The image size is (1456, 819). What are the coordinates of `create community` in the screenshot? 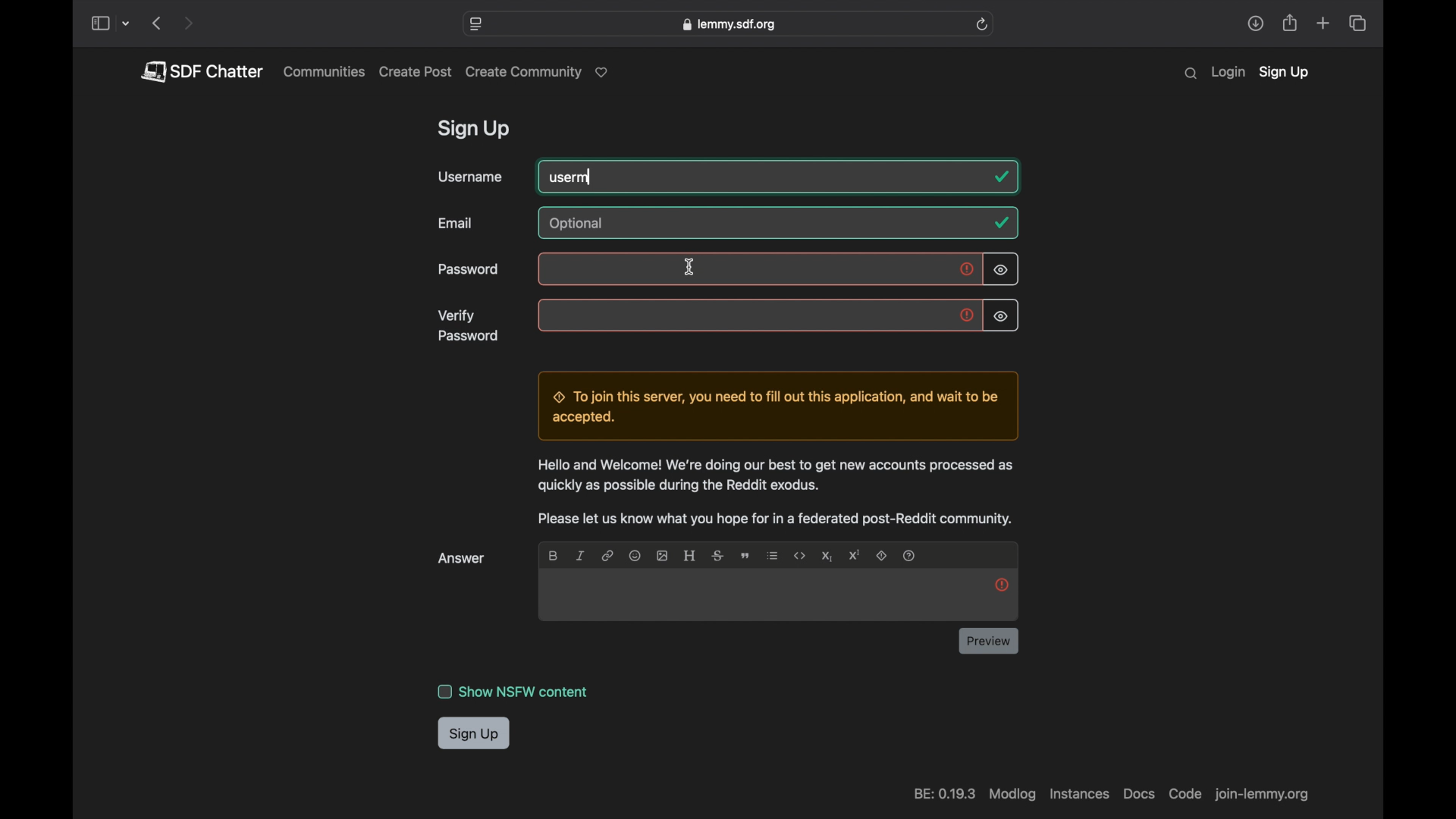 It's located at (540, 73).